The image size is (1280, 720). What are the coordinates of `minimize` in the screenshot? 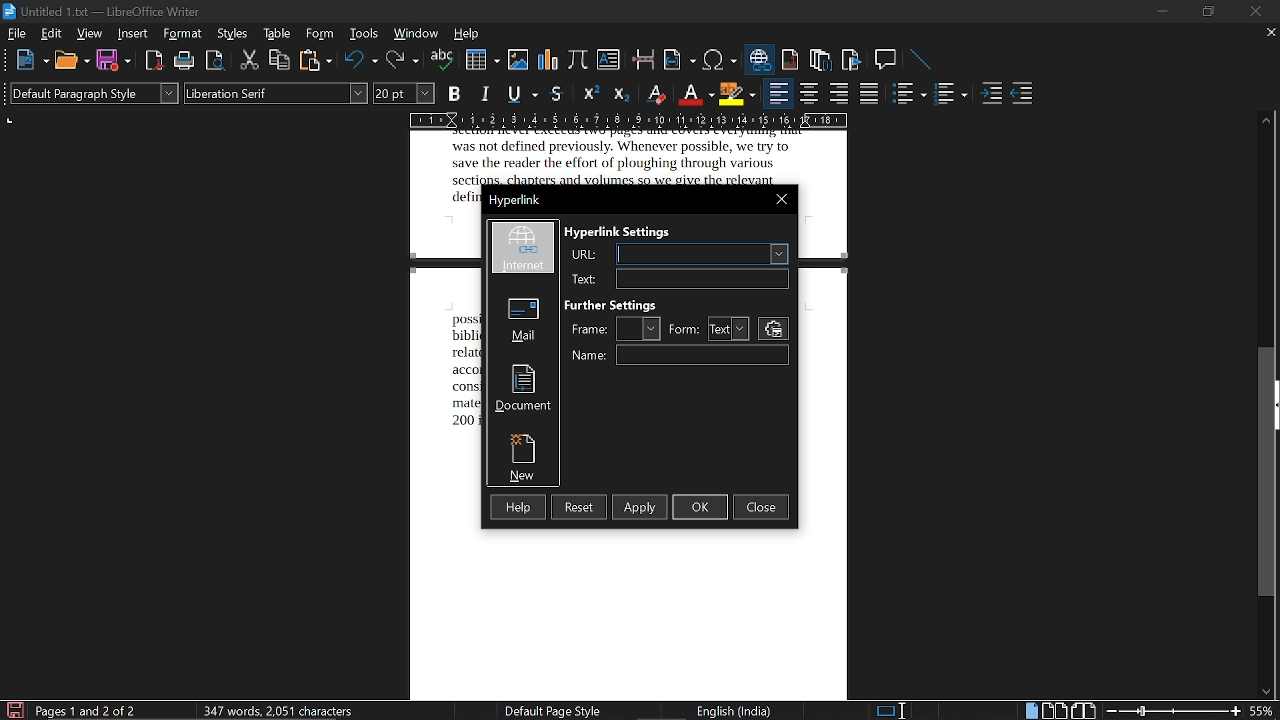 It's located at (1162, 12).